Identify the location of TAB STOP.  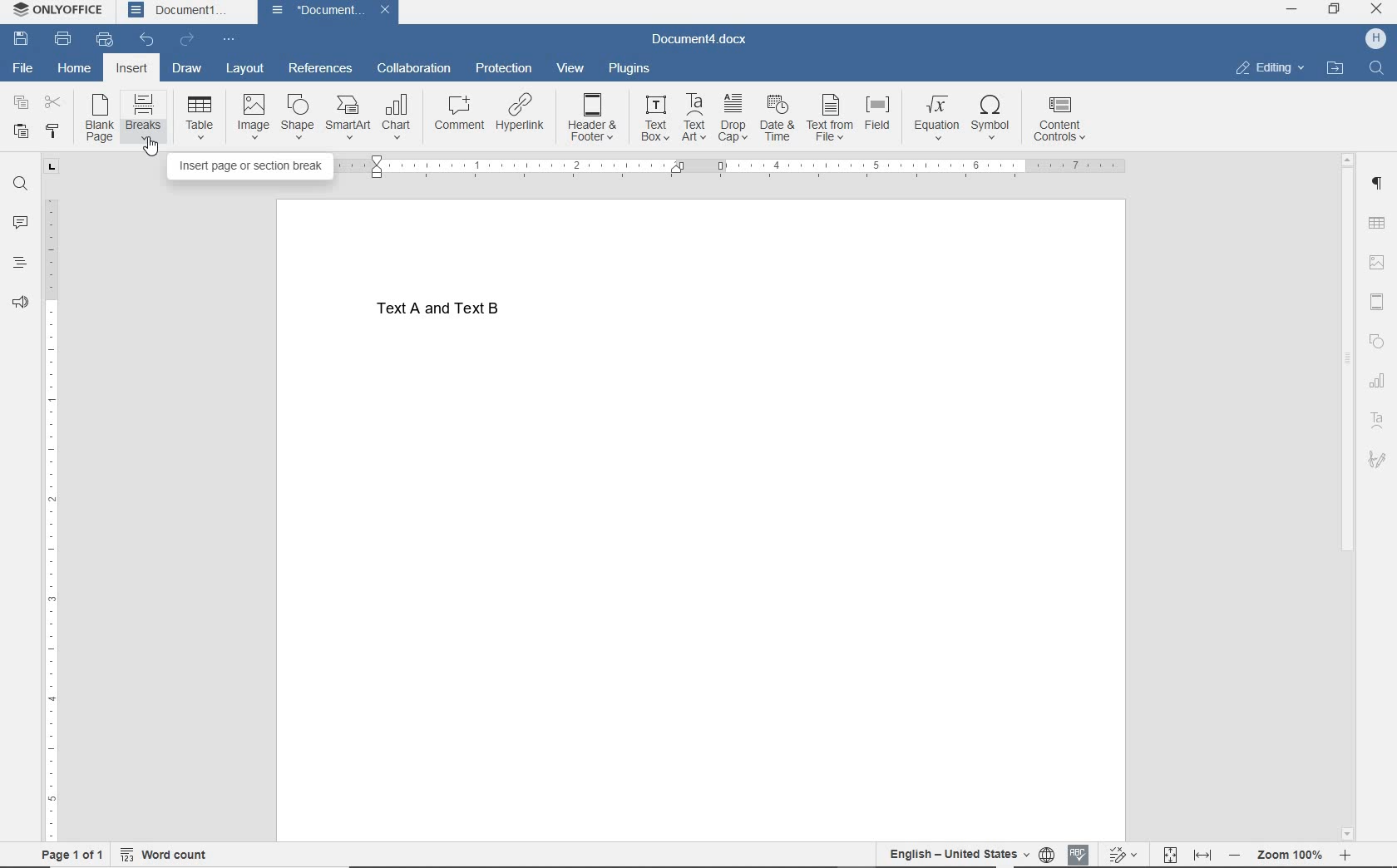
(51, 167).